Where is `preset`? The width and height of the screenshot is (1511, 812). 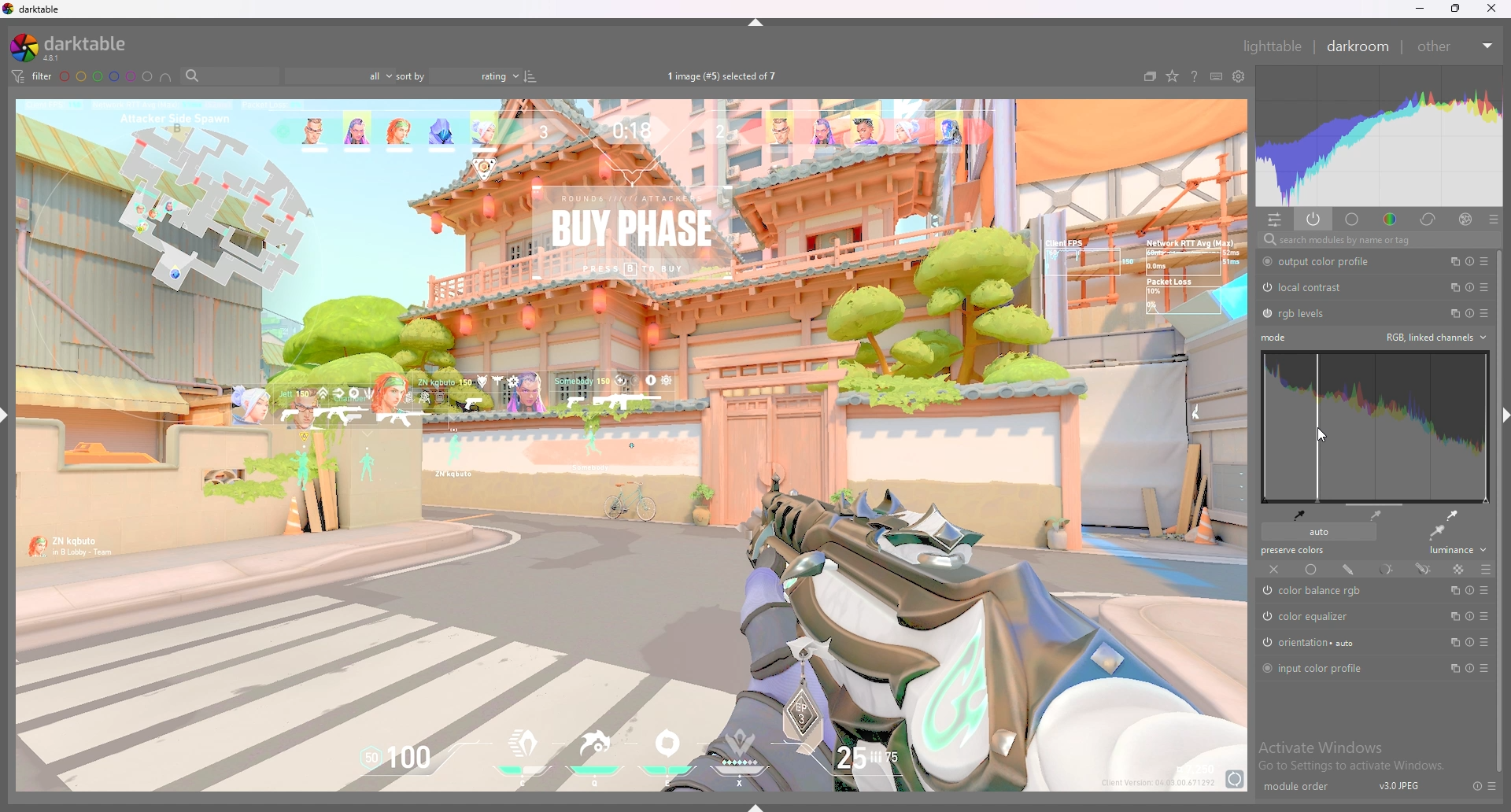
preset is located at coordinates (1485, 642).